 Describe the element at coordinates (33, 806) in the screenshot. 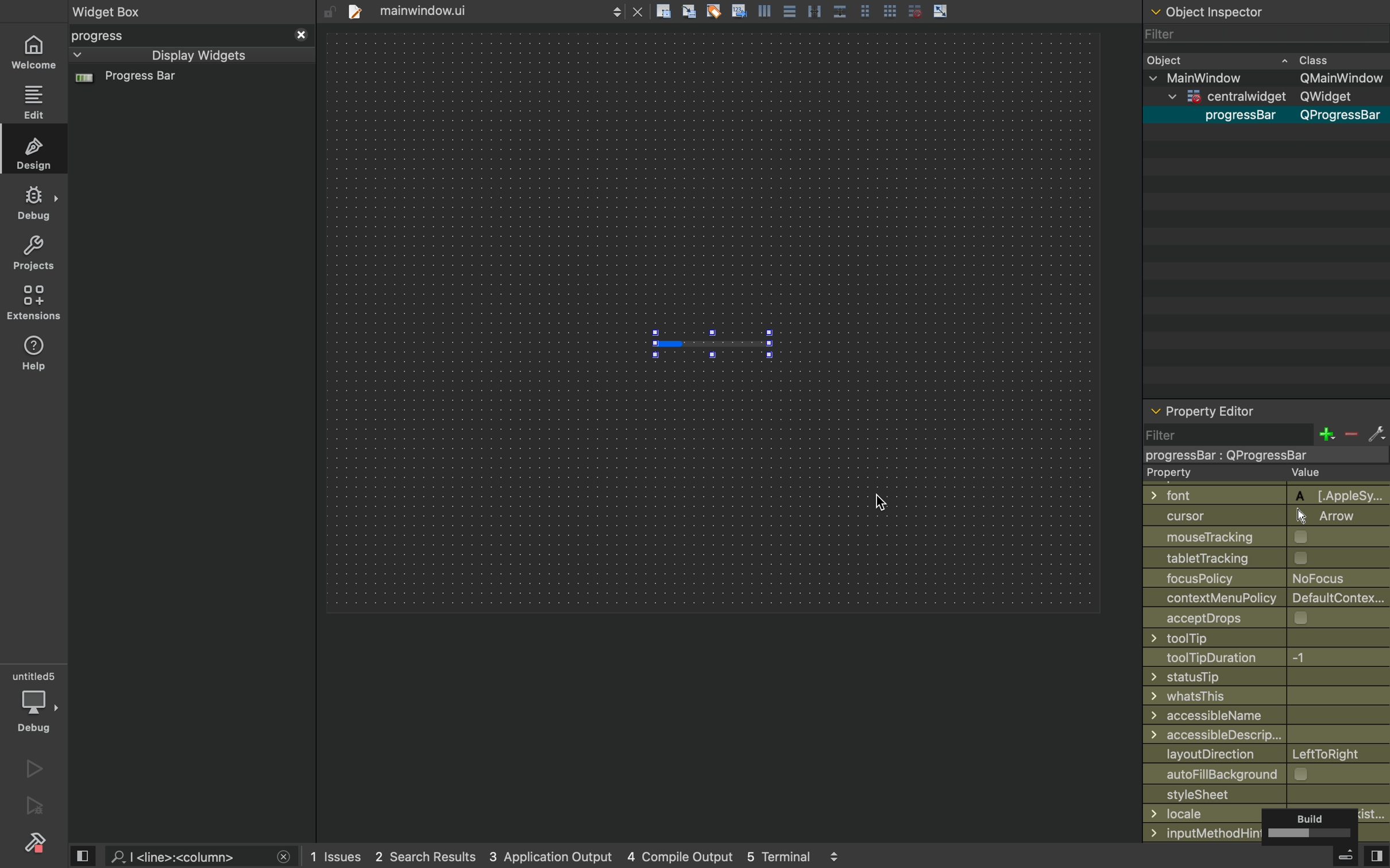

I see `run and build` at that location.